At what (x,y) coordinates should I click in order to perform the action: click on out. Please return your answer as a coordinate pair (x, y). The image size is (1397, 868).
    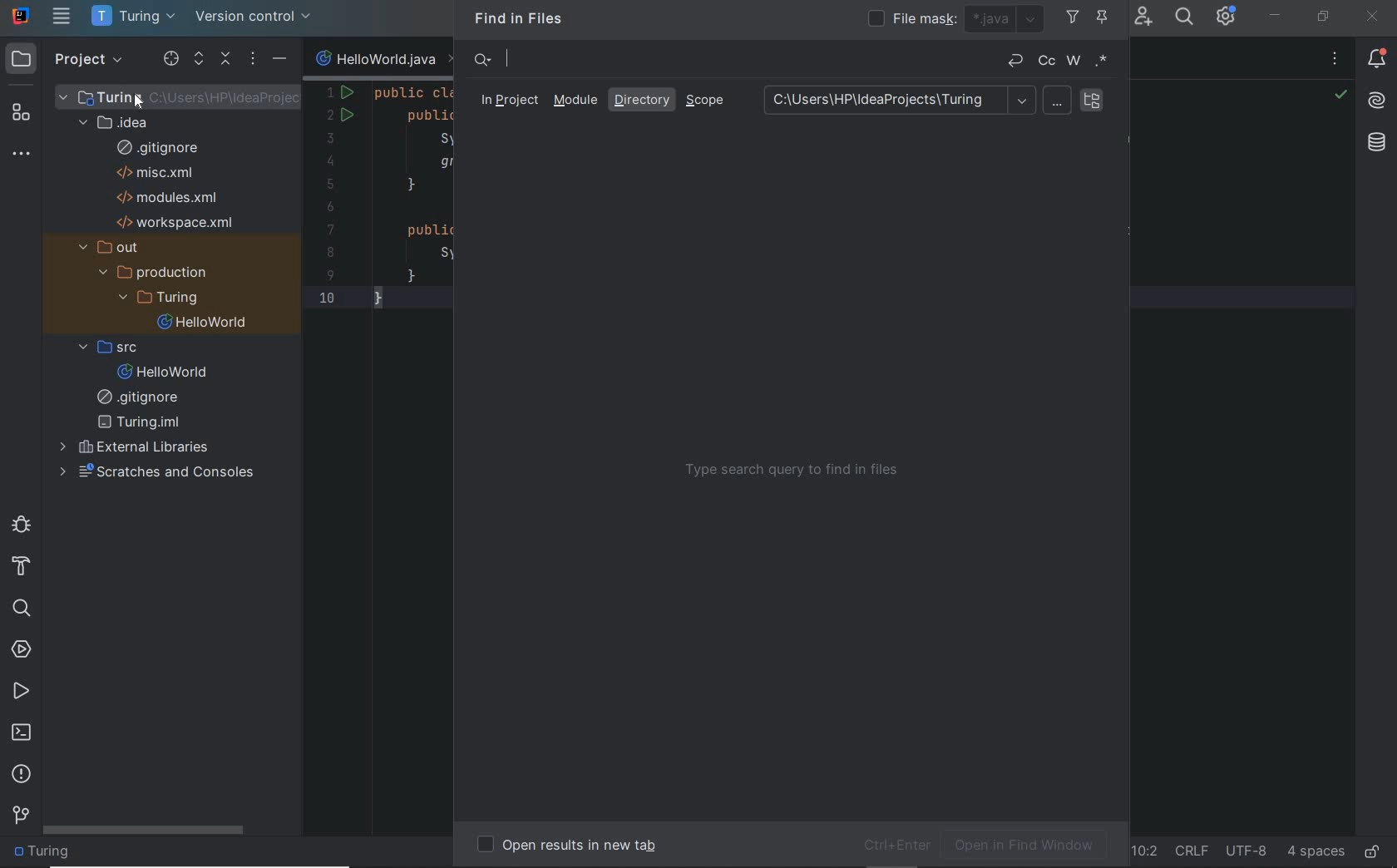
    Looking at the image, I should click on (116, 247).